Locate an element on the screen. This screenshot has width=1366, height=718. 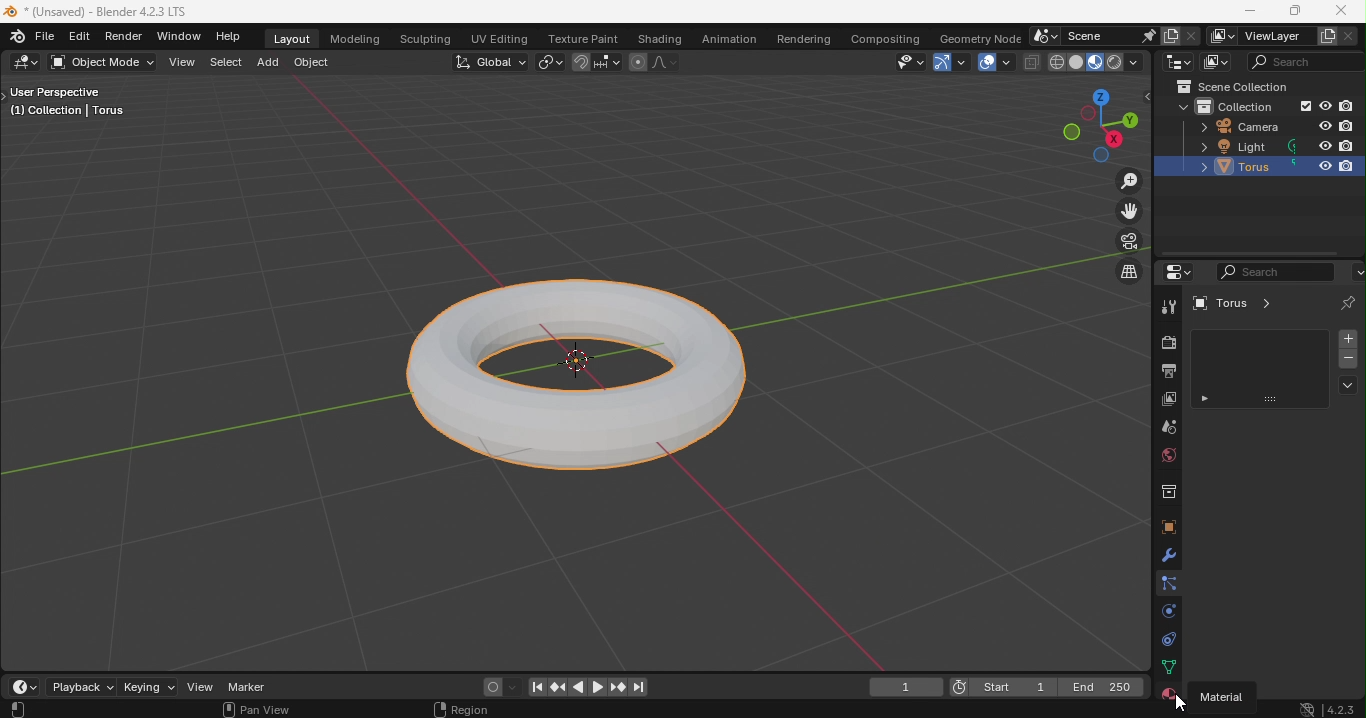
Shading is located at coordinates (1135, 60).